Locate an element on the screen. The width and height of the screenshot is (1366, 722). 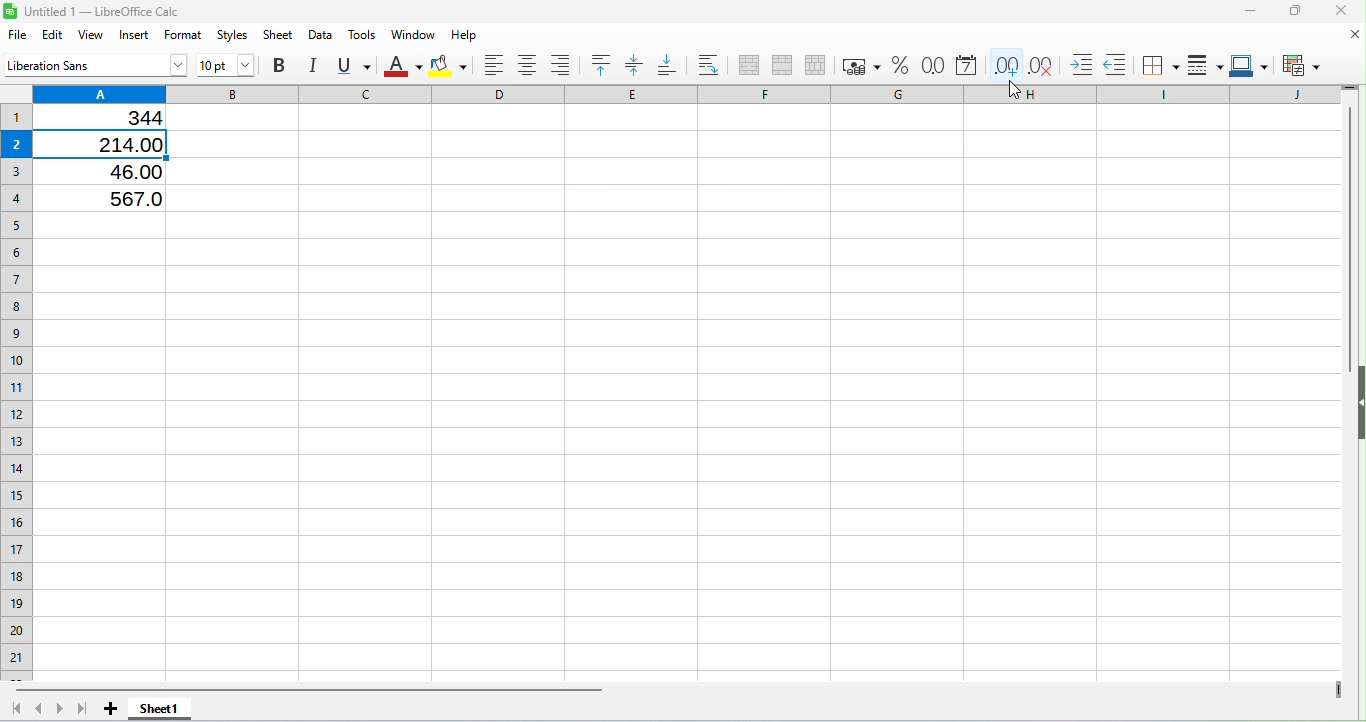
Close document is located at coordinates (1348, 33).